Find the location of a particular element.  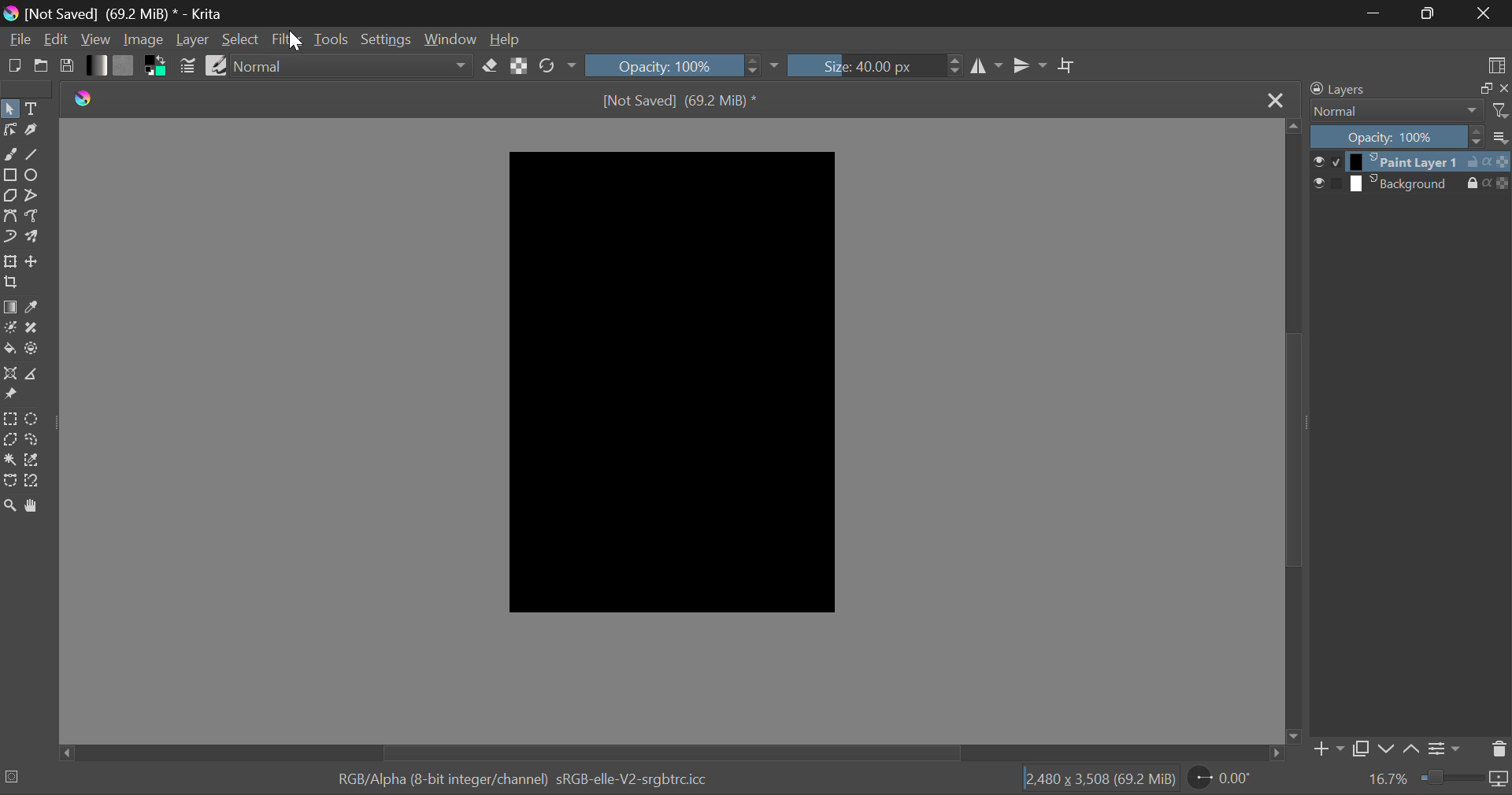

move up is located at coordinates (1291, 125).